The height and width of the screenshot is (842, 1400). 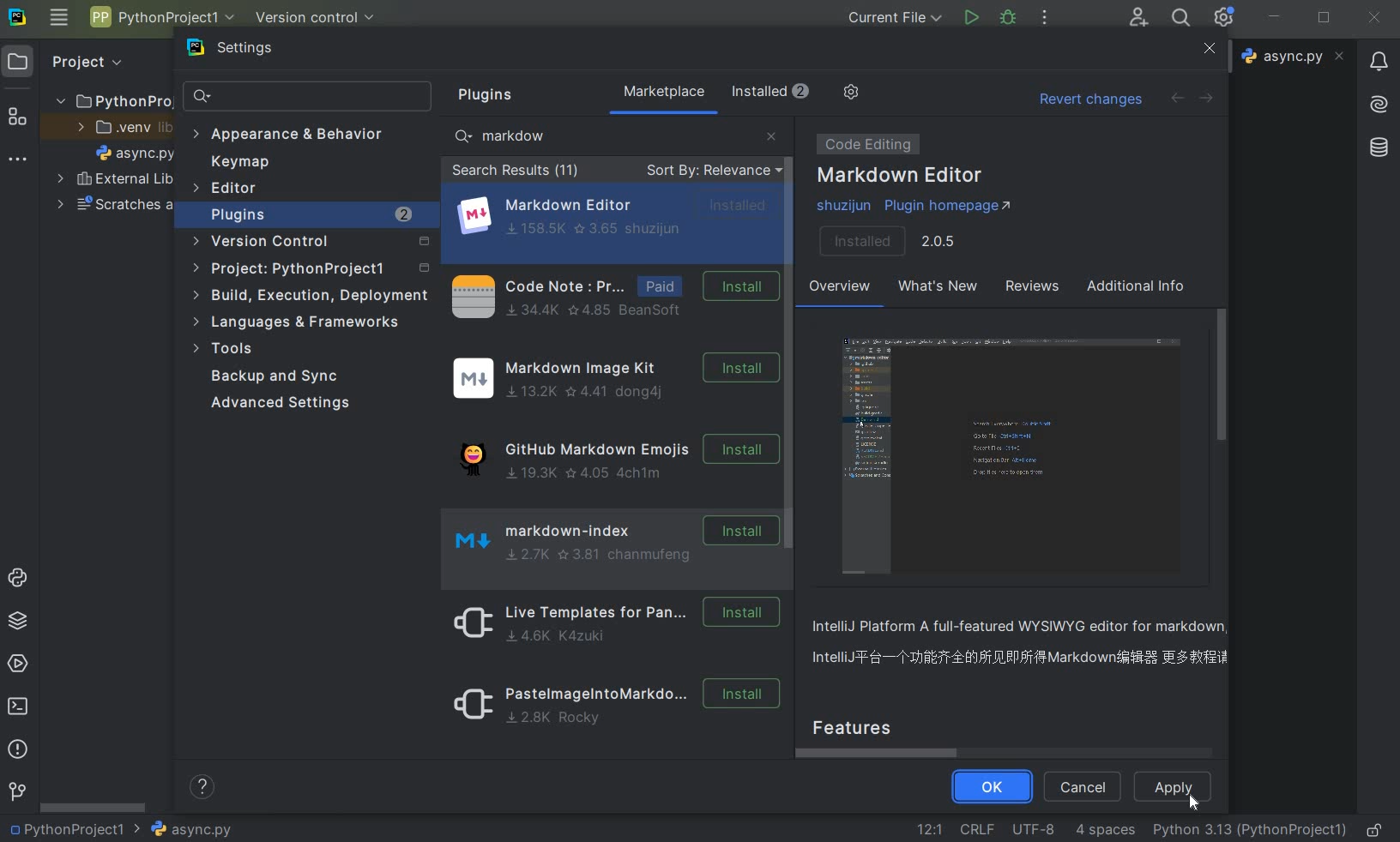 What do you see at coordinates (1379, 105) in the screenshot?
I see `AI Assistant` at bounding box center [1379, 105].